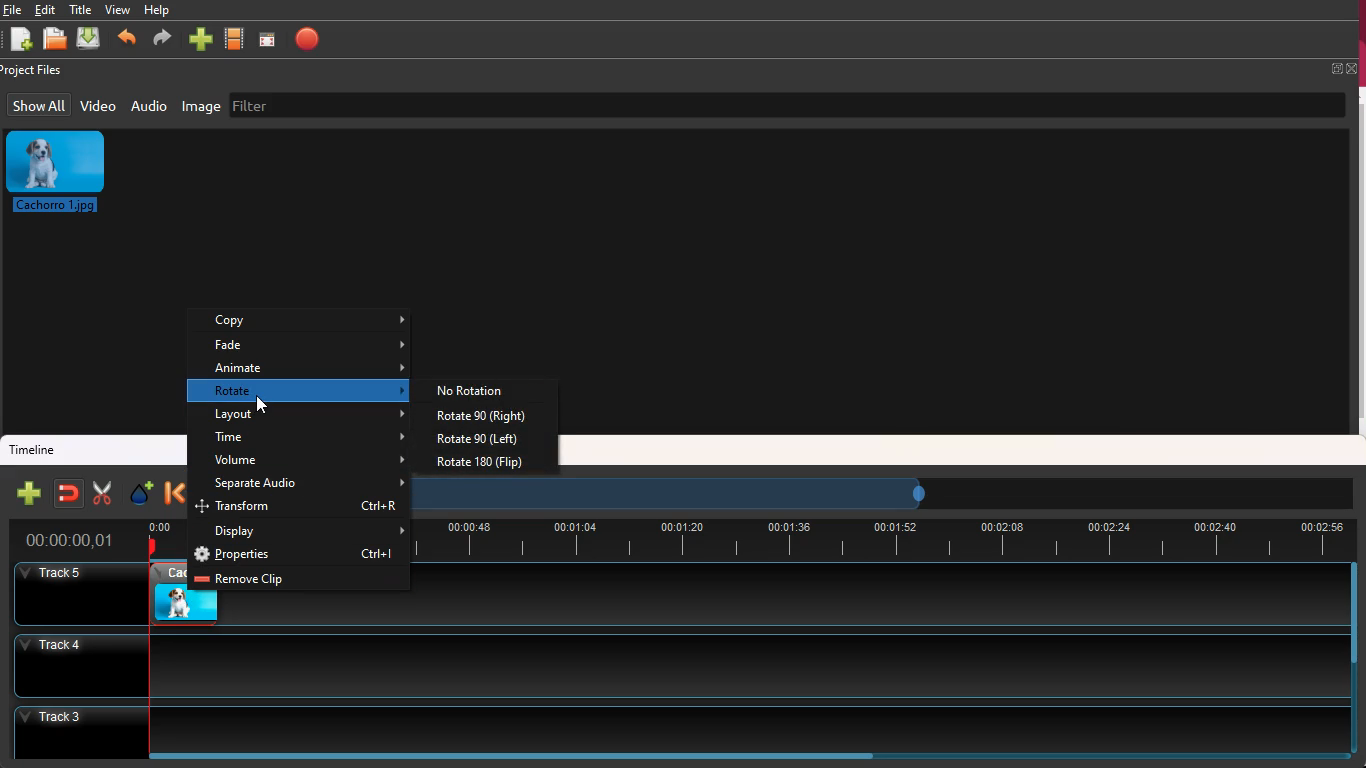 The image size is (1366, 768). Describe the element at coordinates (81, 9) in the screenshot. I see `title` at that location.